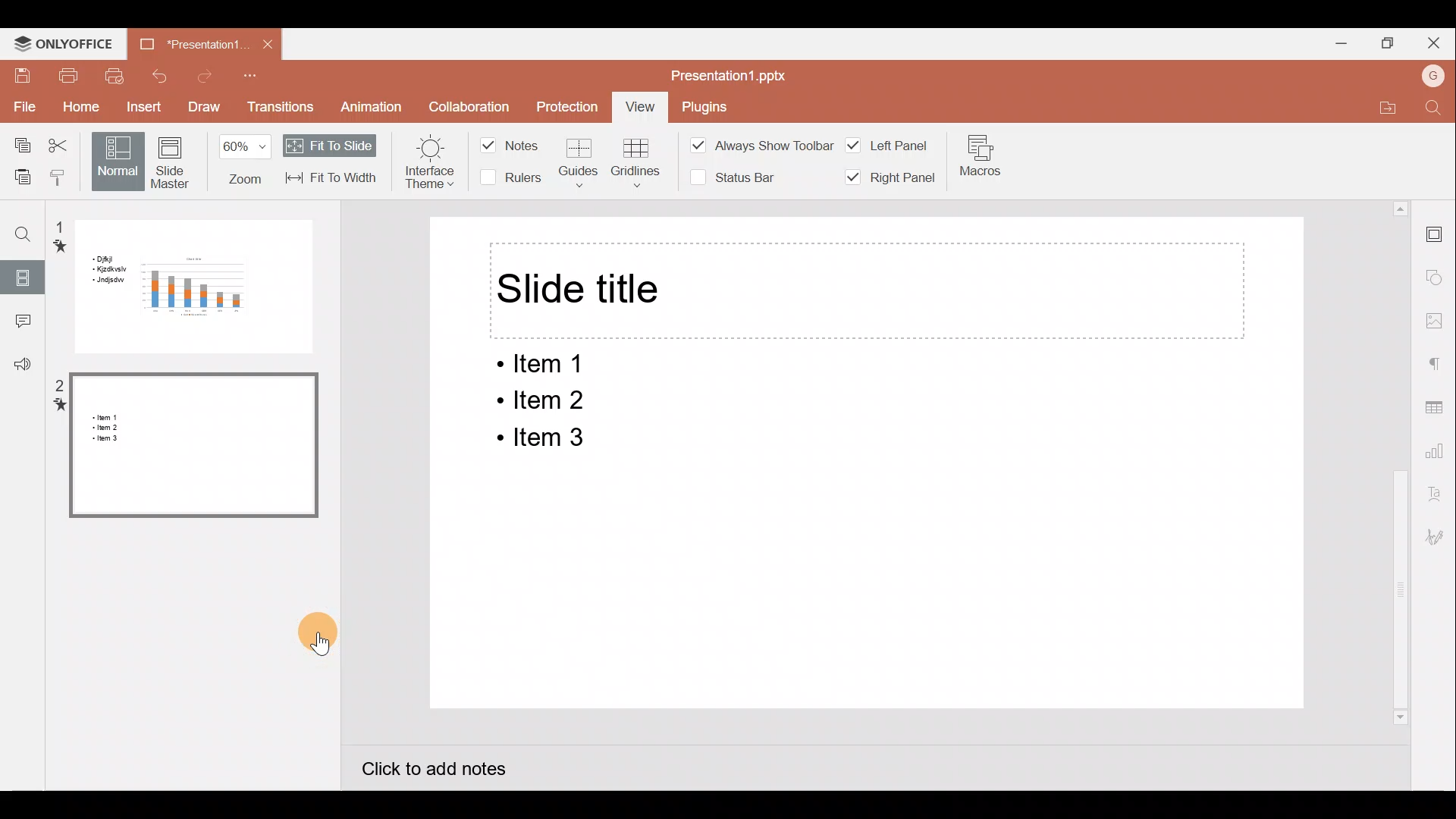 Image resolution: width=1456 pixels, height=819 pixels. I want to click on Plugins, so click(714, 106).